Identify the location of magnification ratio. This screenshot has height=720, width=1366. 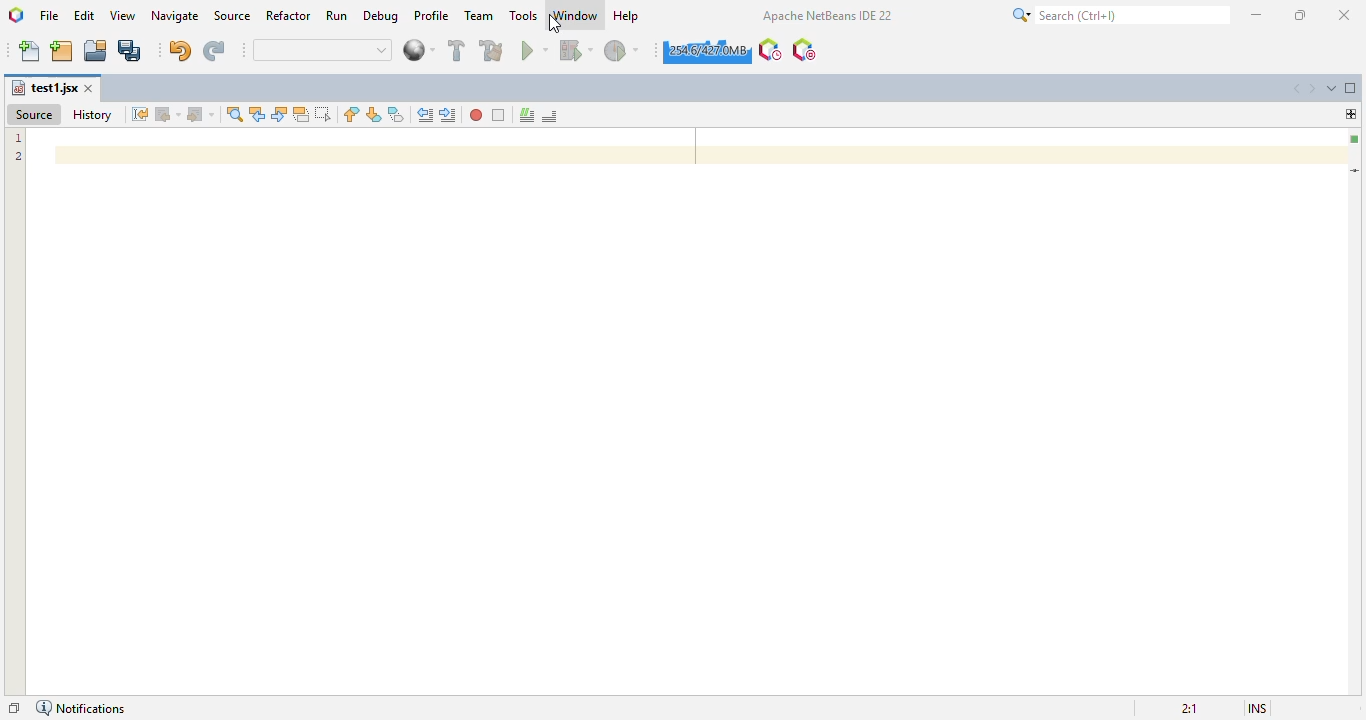
(1189, 708).